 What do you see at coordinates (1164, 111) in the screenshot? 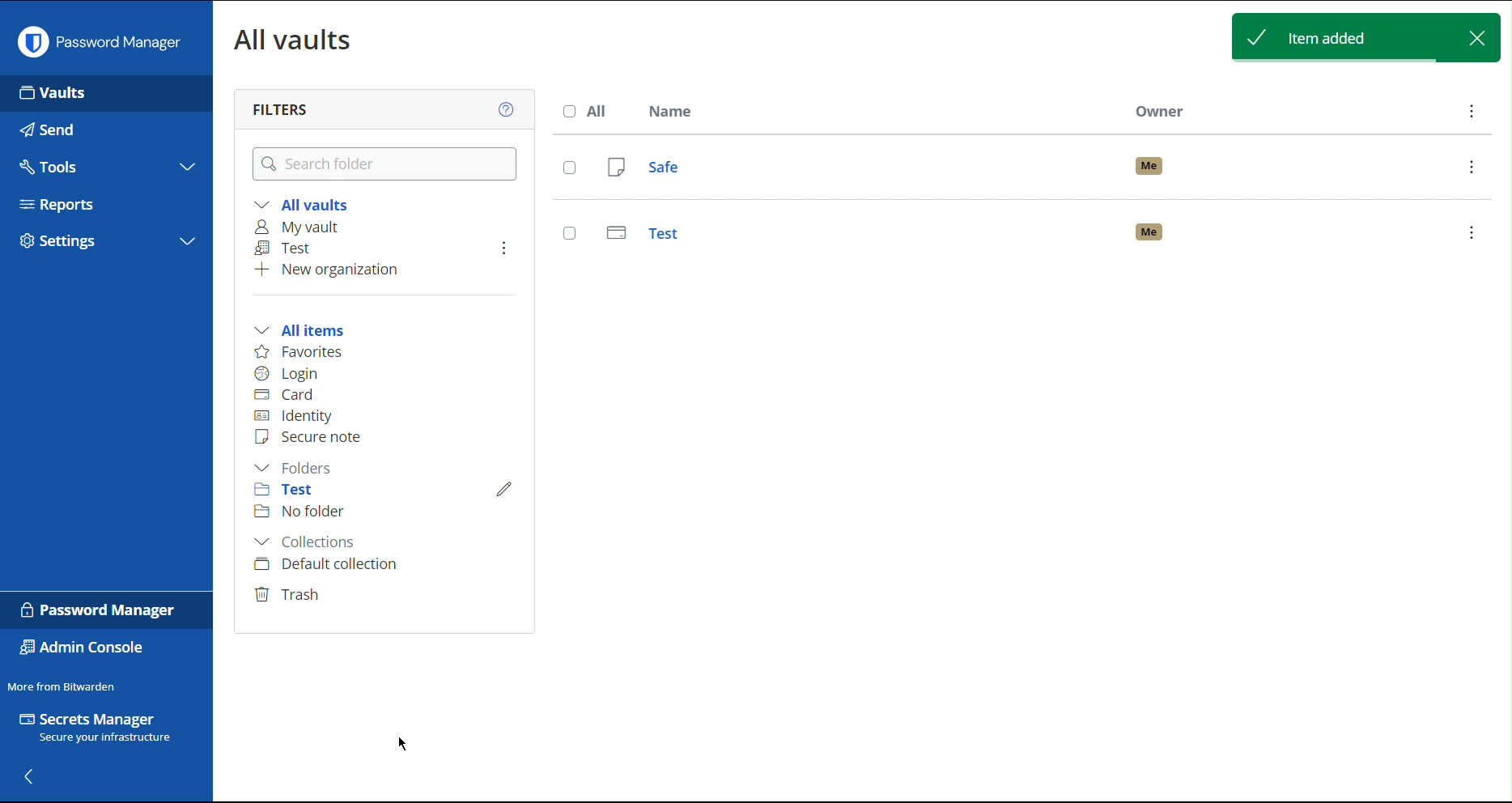
I see `Owner` at bounding box center [1164, 111].